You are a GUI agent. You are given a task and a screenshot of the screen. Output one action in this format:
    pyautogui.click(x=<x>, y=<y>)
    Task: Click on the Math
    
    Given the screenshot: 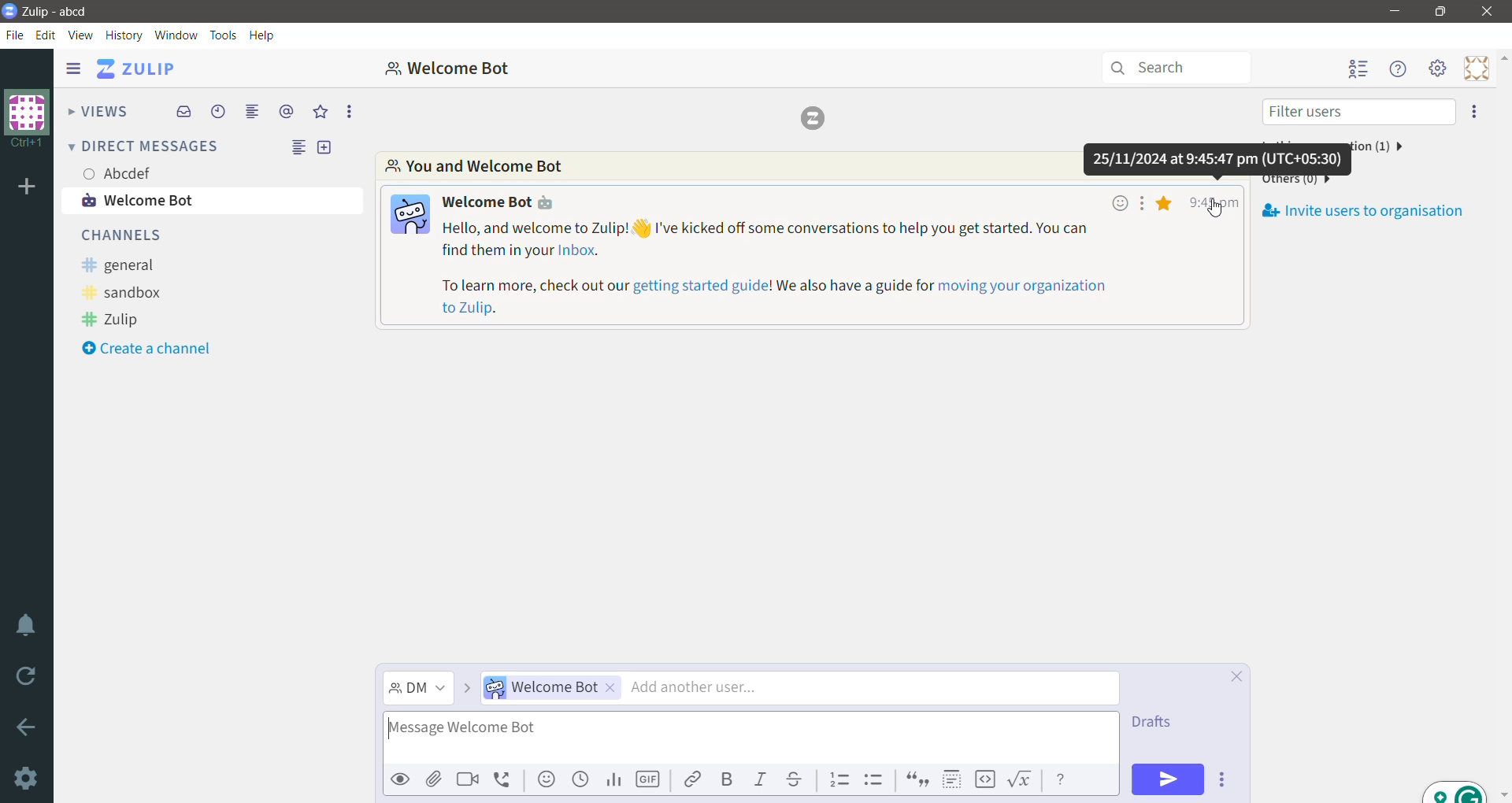 What is the action you would take?
    pyautogui.click(x=1020, y=780)
    